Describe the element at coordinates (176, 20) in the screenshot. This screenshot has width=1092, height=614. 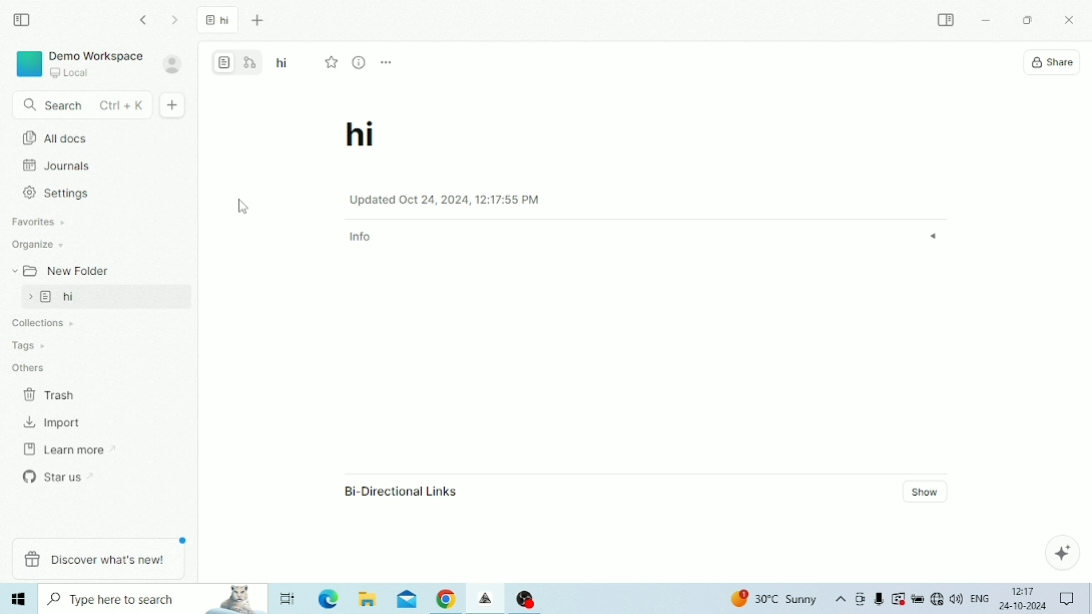
I see `Go forward` at that location.